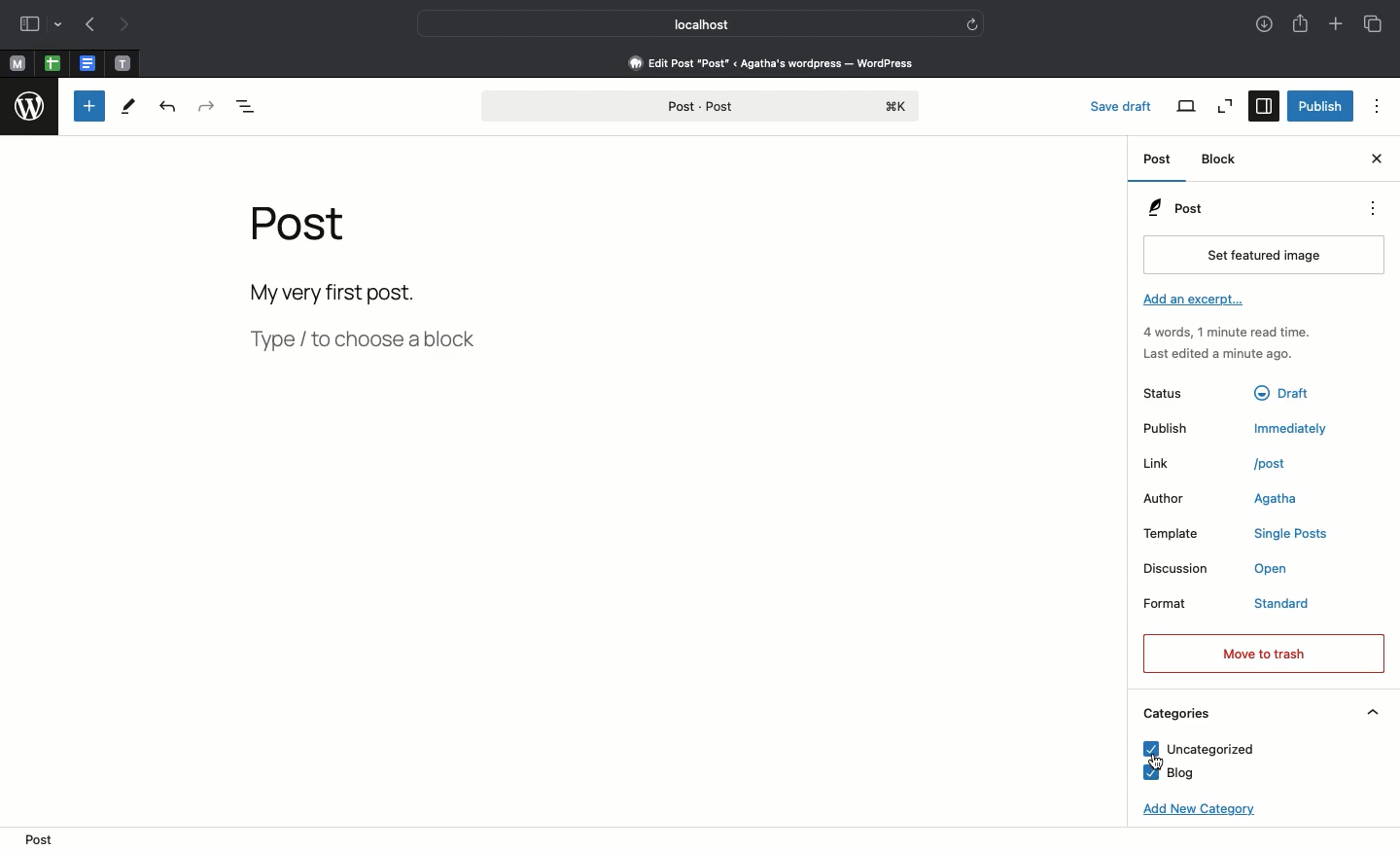 The height and width of the screenshot is (850, 1400). Describe the element at coordinates (1178, 569) in the screenshot. I see `Discussion` at that location.